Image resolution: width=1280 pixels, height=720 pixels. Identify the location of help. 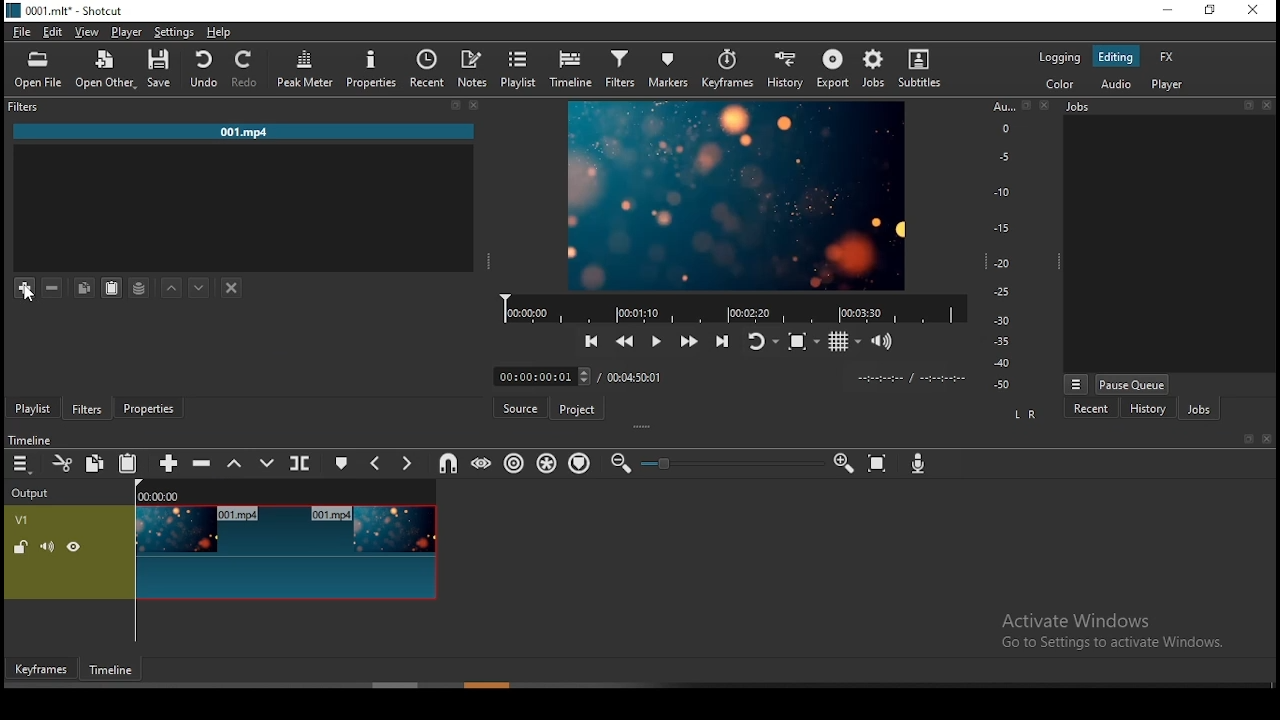
(224, 32).